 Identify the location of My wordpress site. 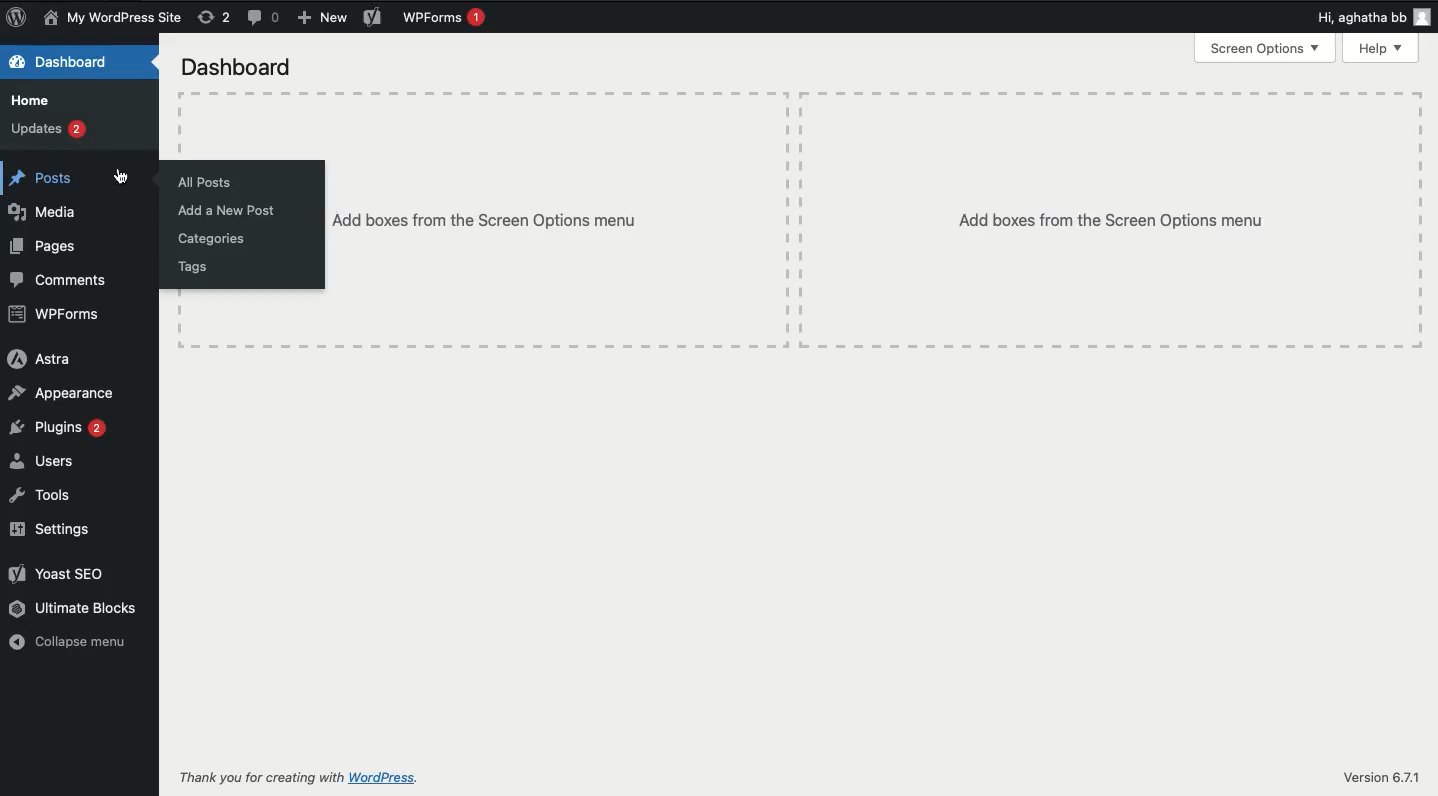
(115, 19).